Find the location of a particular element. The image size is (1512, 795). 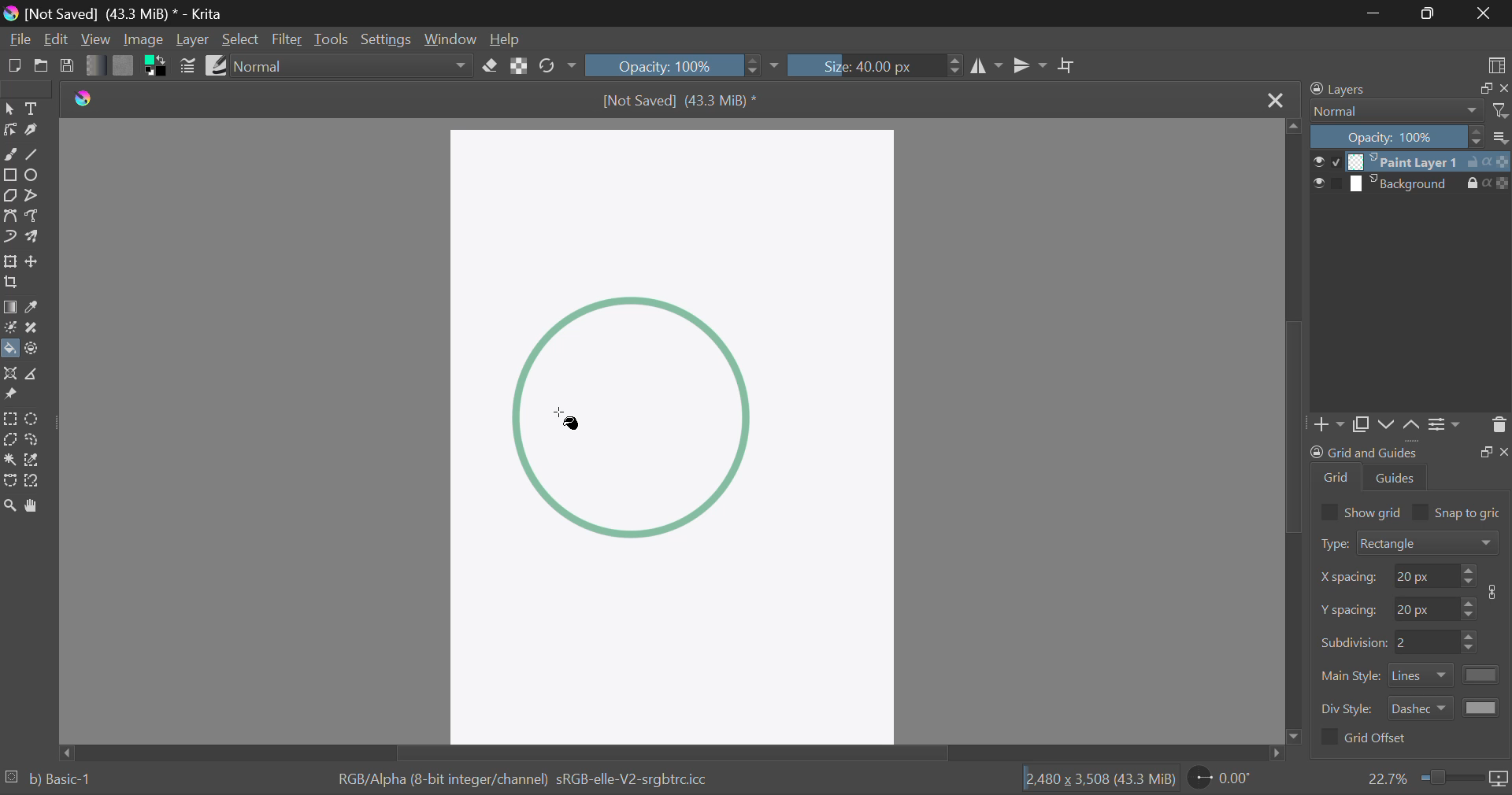

Pan is located at coordinates (33, 506).